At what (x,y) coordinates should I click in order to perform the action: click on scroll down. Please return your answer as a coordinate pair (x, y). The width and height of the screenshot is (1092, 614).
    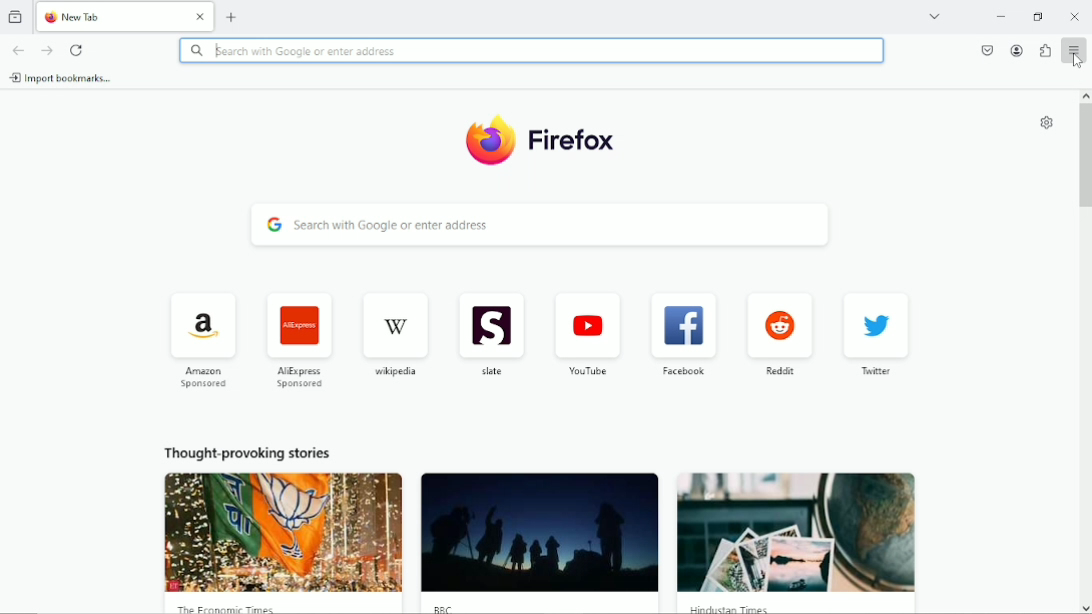
    Looking at the image, I should click on (1085, 608).